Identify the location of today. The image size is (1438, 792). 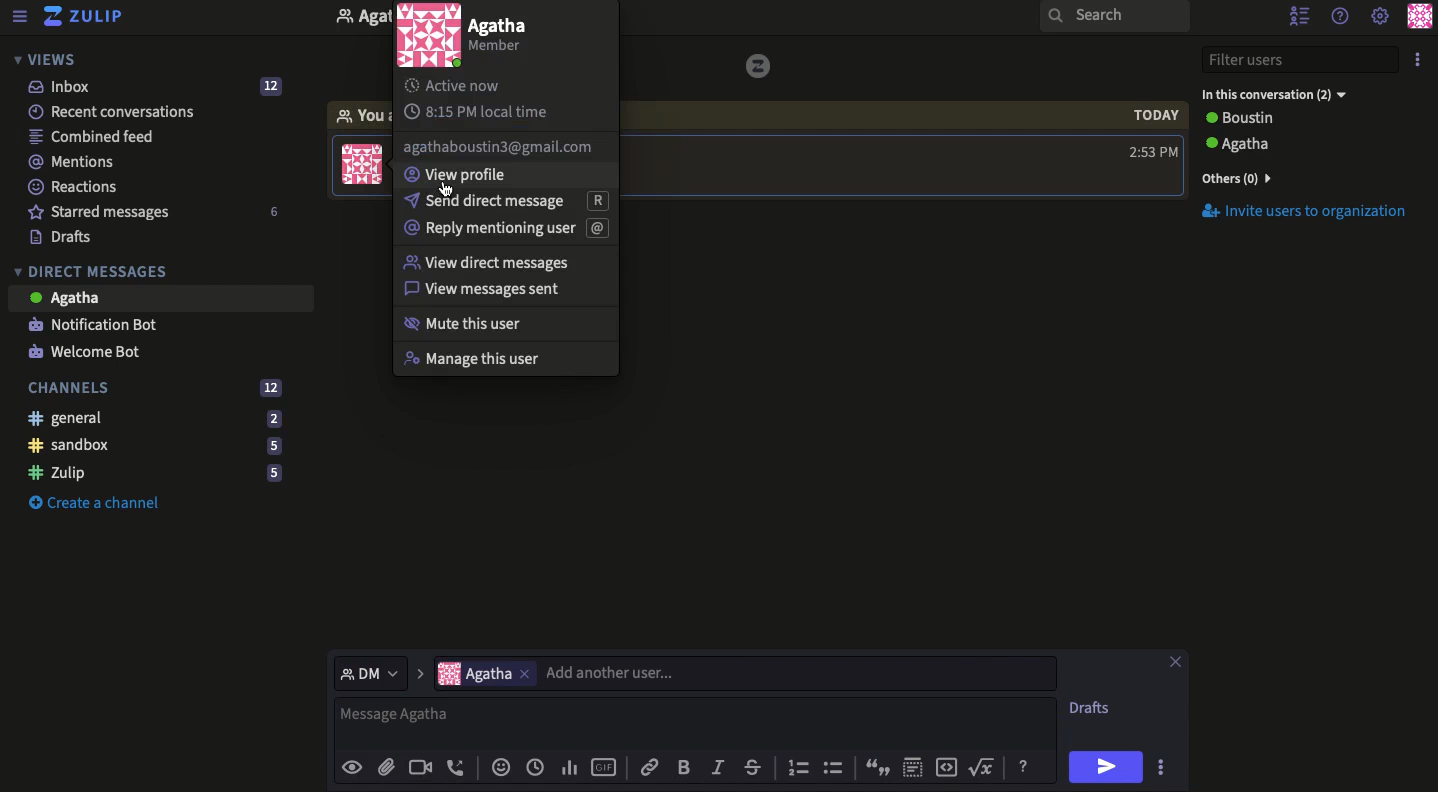
(1158, 113).